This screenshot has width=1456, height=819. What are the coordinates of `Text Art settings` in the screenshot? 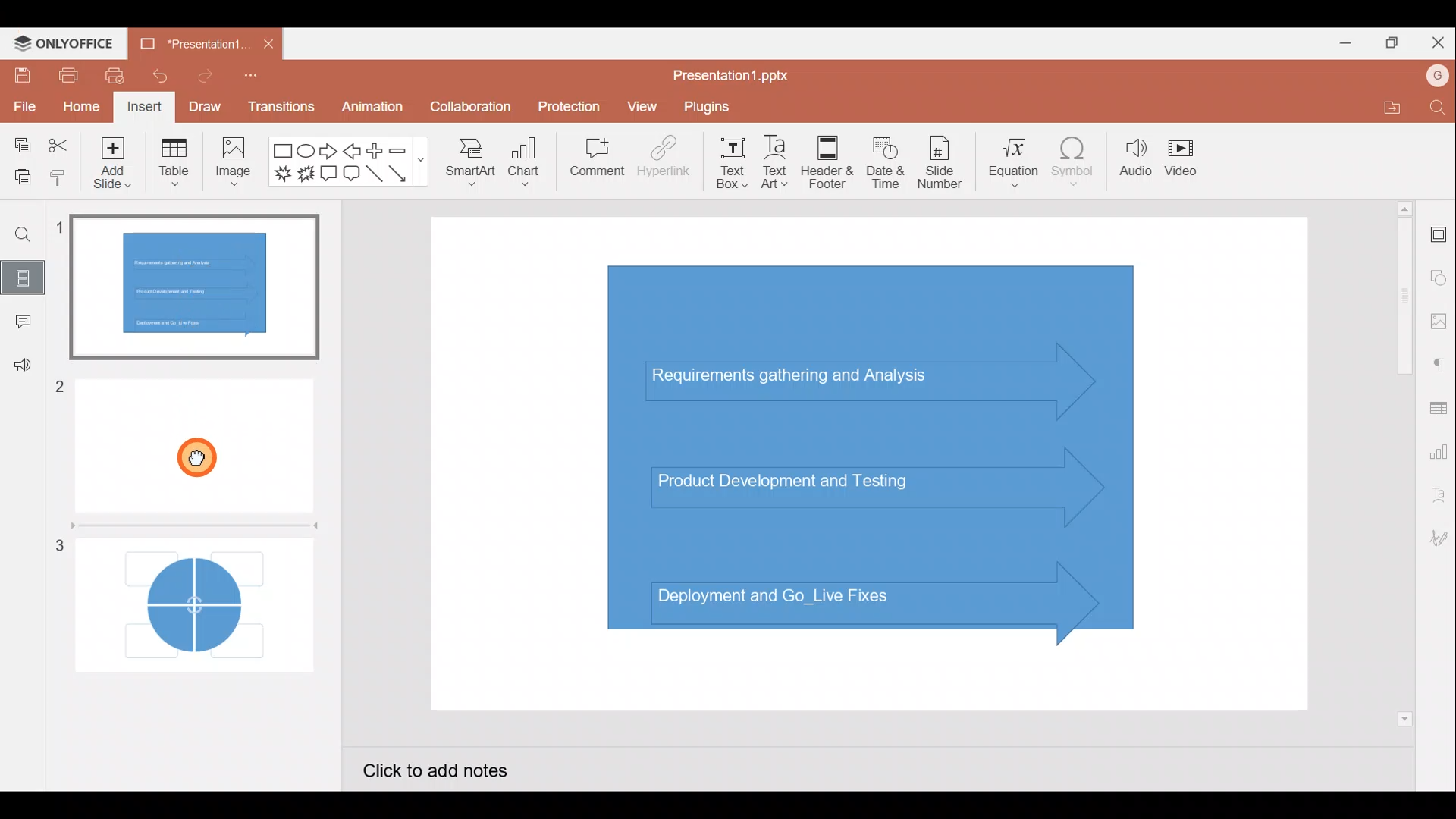 It's located at (1437, 500).